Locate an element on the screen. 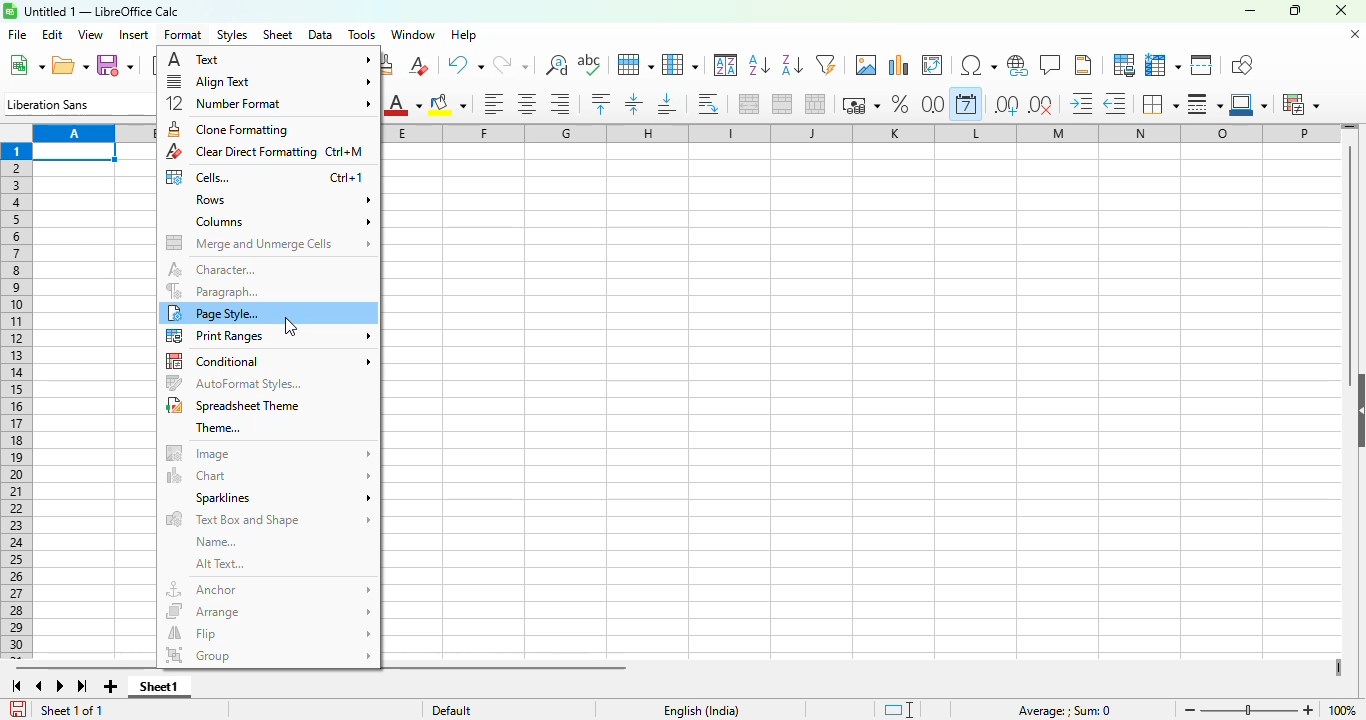  columns is located at coordinates (91, 133).